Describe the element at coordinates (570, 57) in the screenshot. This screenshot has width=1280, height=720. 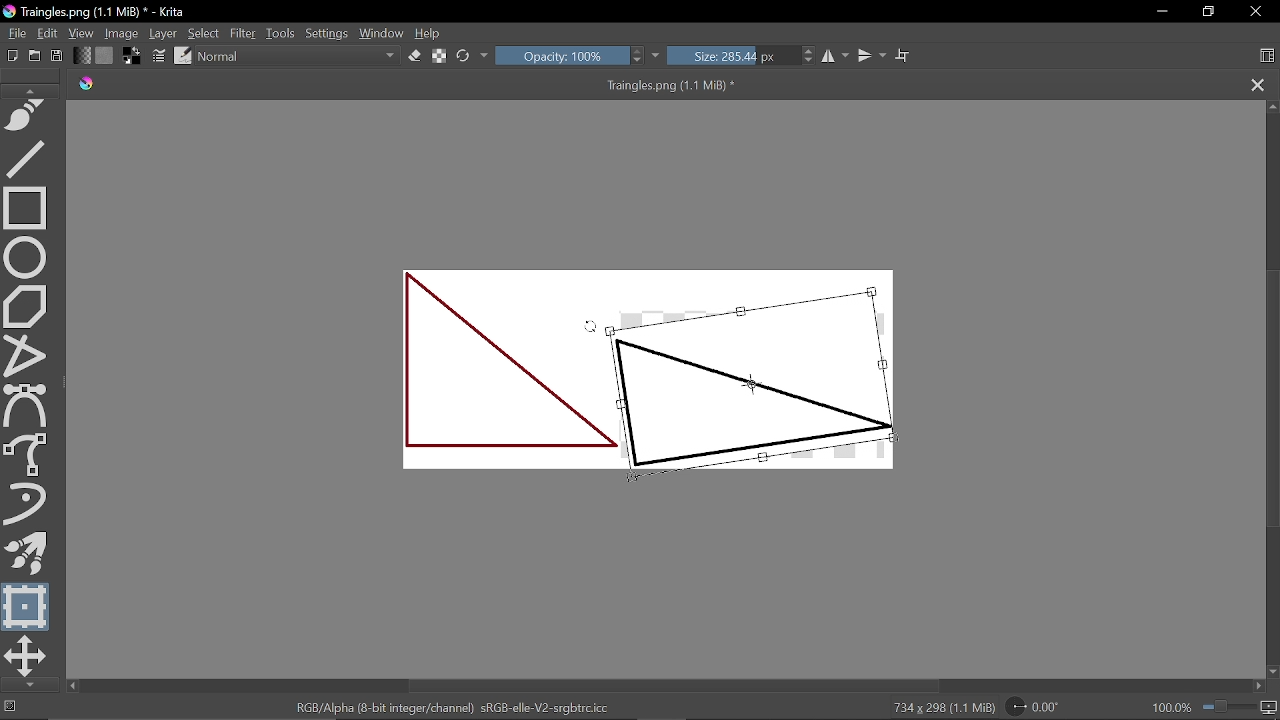
I see `Opacity: 100%` at that location.